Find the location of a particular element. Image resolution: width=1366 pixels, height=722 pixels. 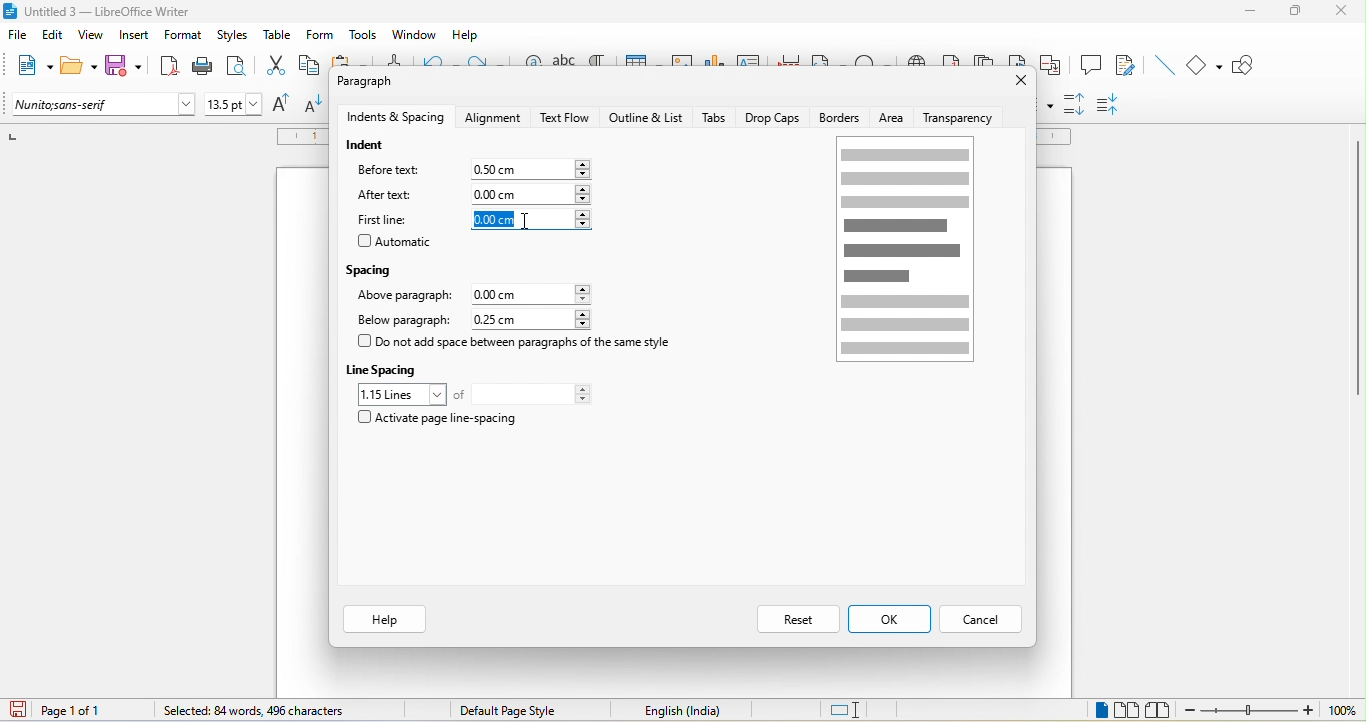

title is located at coordinates (97, 12).